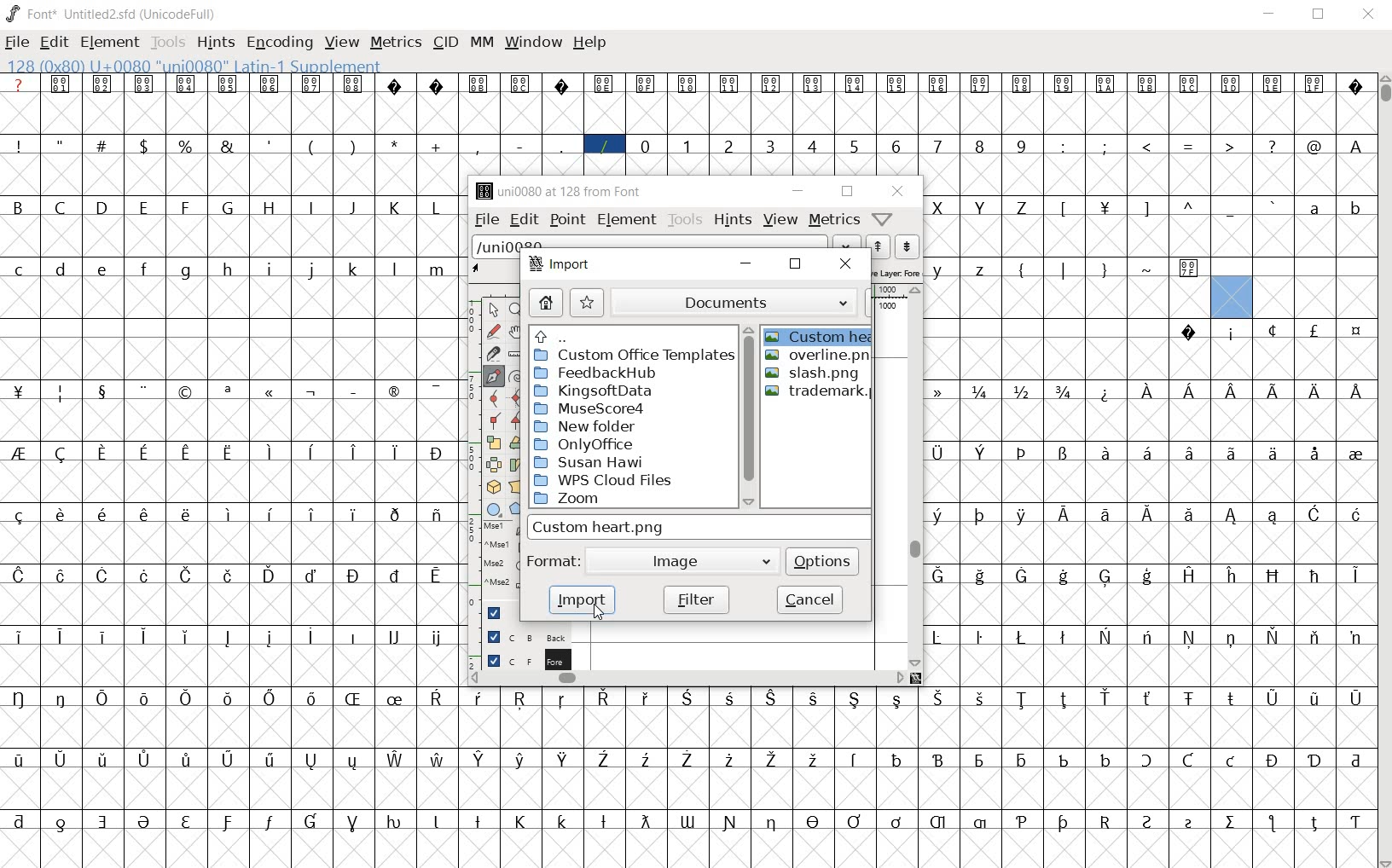 This screenshot has width=1392, height=868. What do you see at coordinates (531, 42) in the screenshot?
I see `WINDOW` at bounding box center [531, 42].